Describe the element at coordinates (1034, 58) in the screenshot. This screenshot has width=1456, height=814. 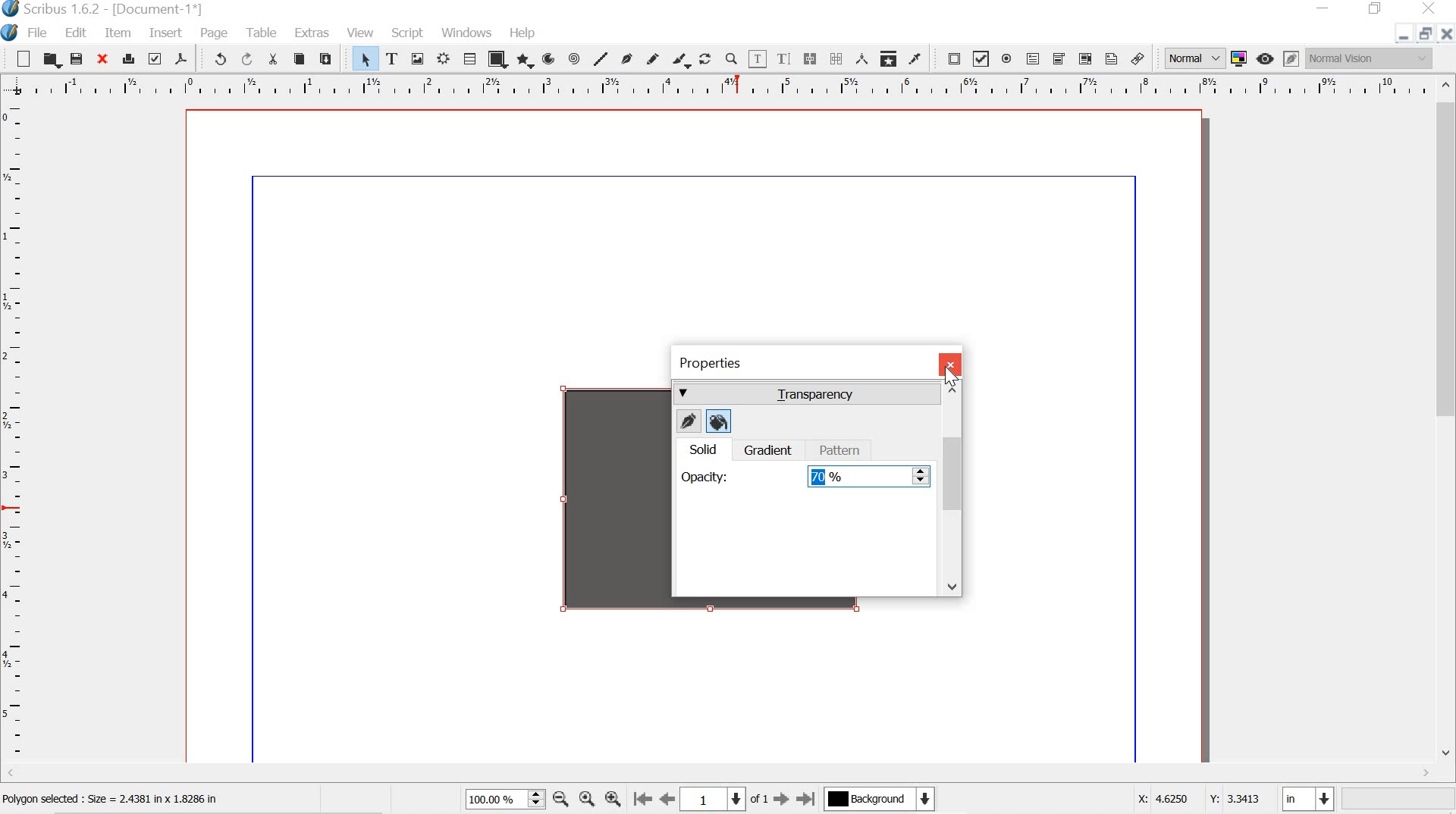
I see `pdf text field` at that location.